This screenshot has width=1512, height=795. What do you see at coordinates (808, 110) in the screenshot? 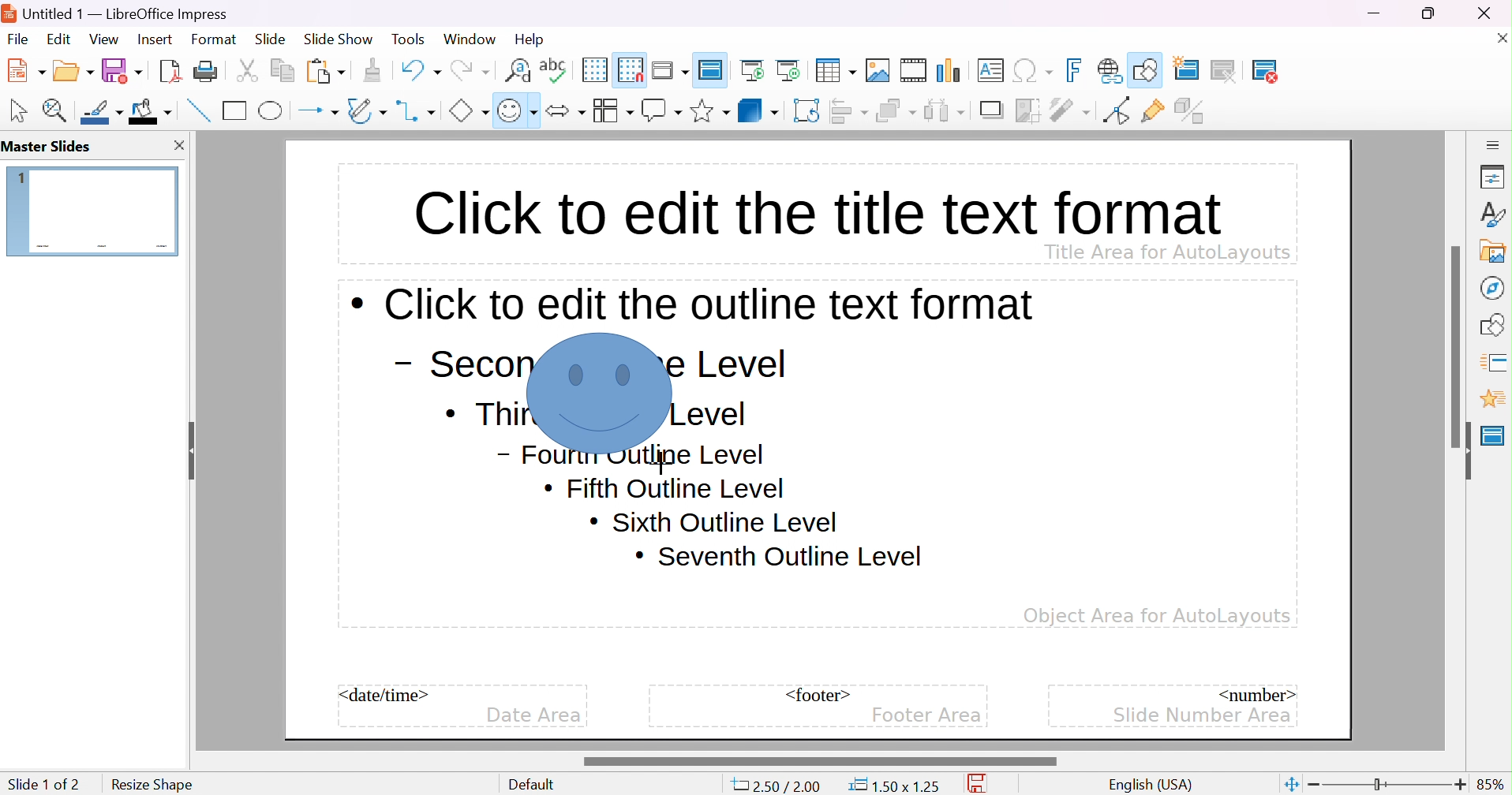
I see `rotate` at bounding box center [808, 110].